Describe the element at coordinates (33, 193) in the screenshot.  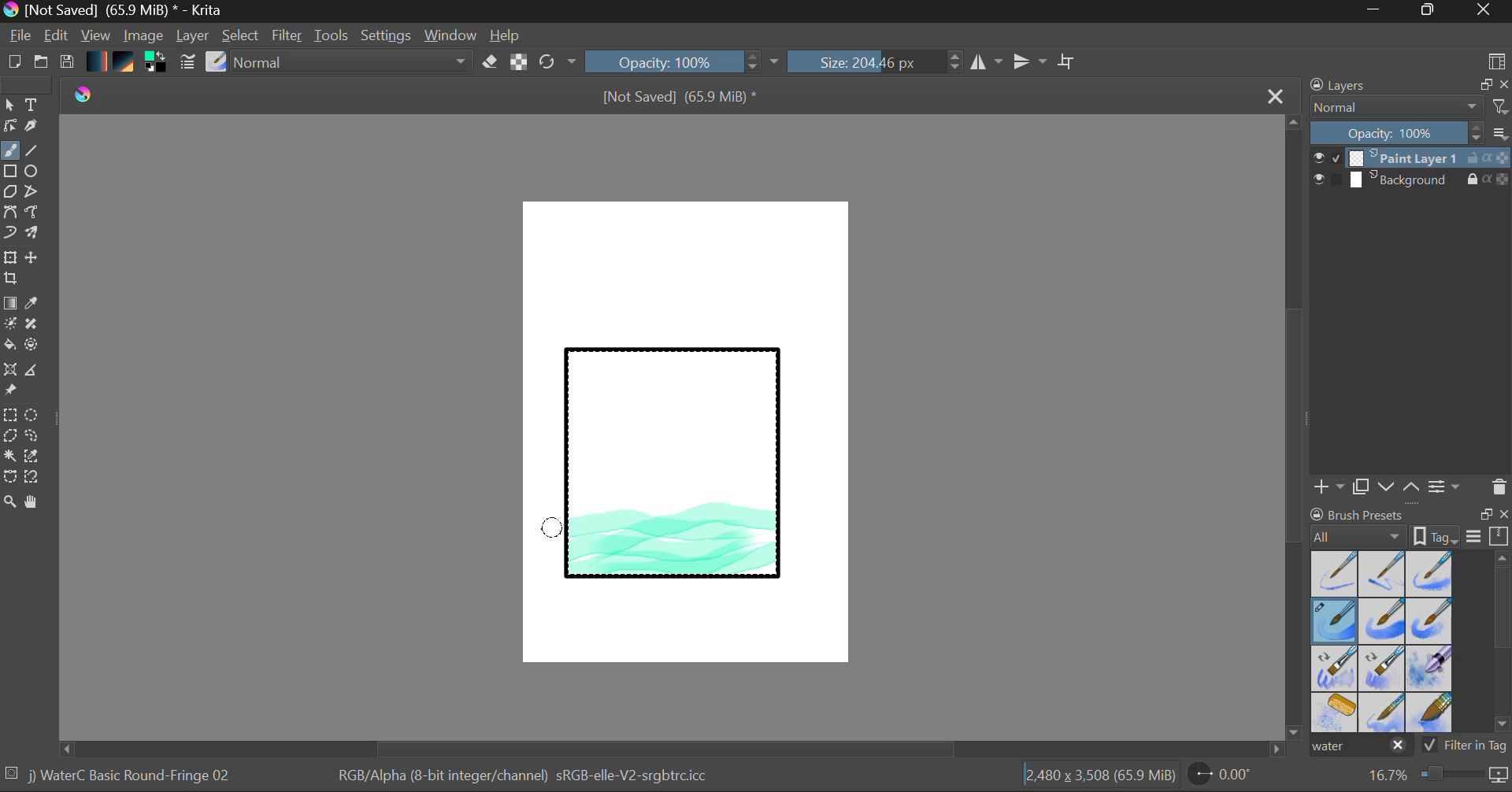
I see `Polyline` at that location.